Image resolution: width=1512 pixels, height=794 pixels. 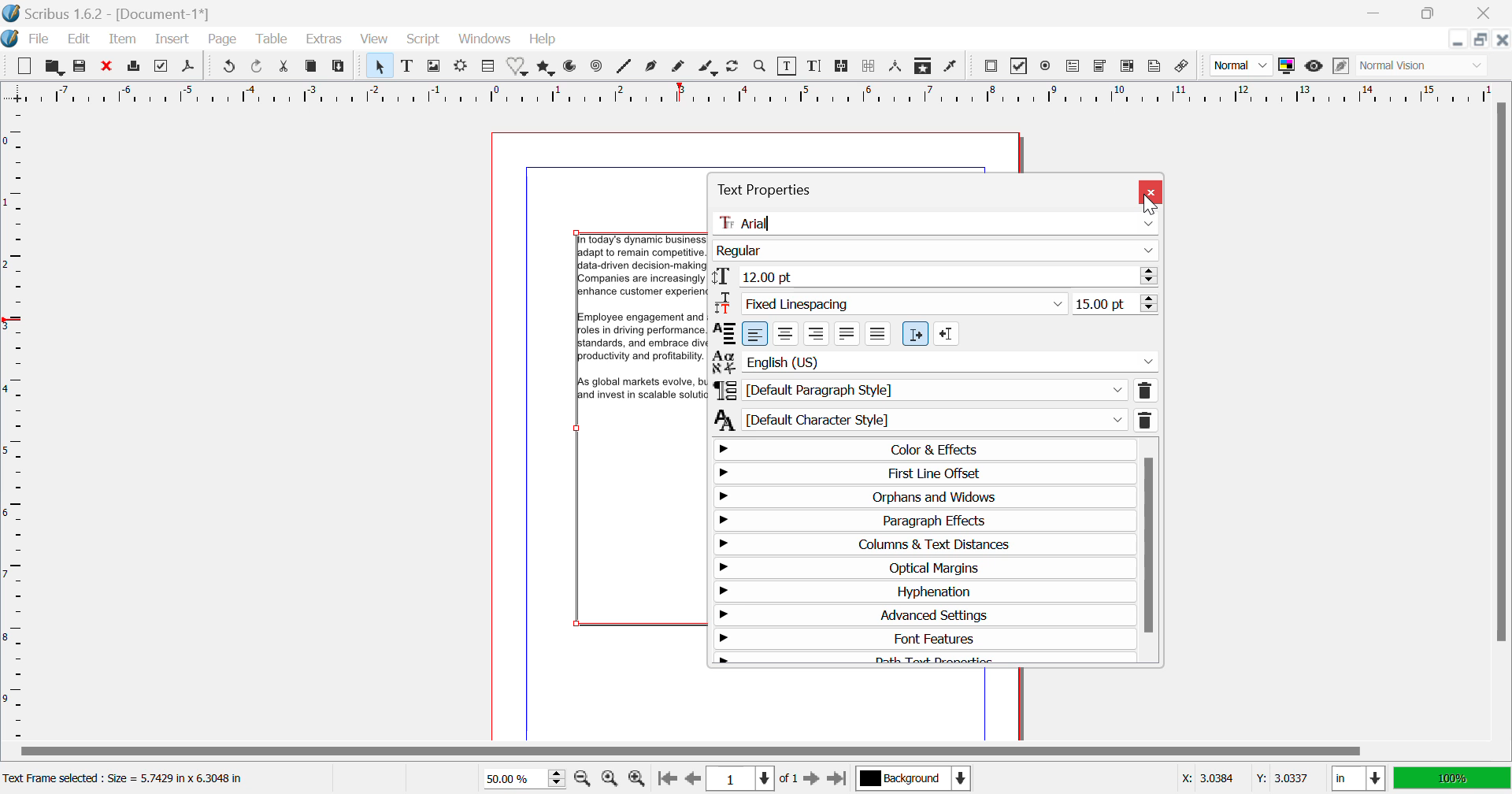 I want to click on Visual Appearance of display, so click(x=1421, y=65).